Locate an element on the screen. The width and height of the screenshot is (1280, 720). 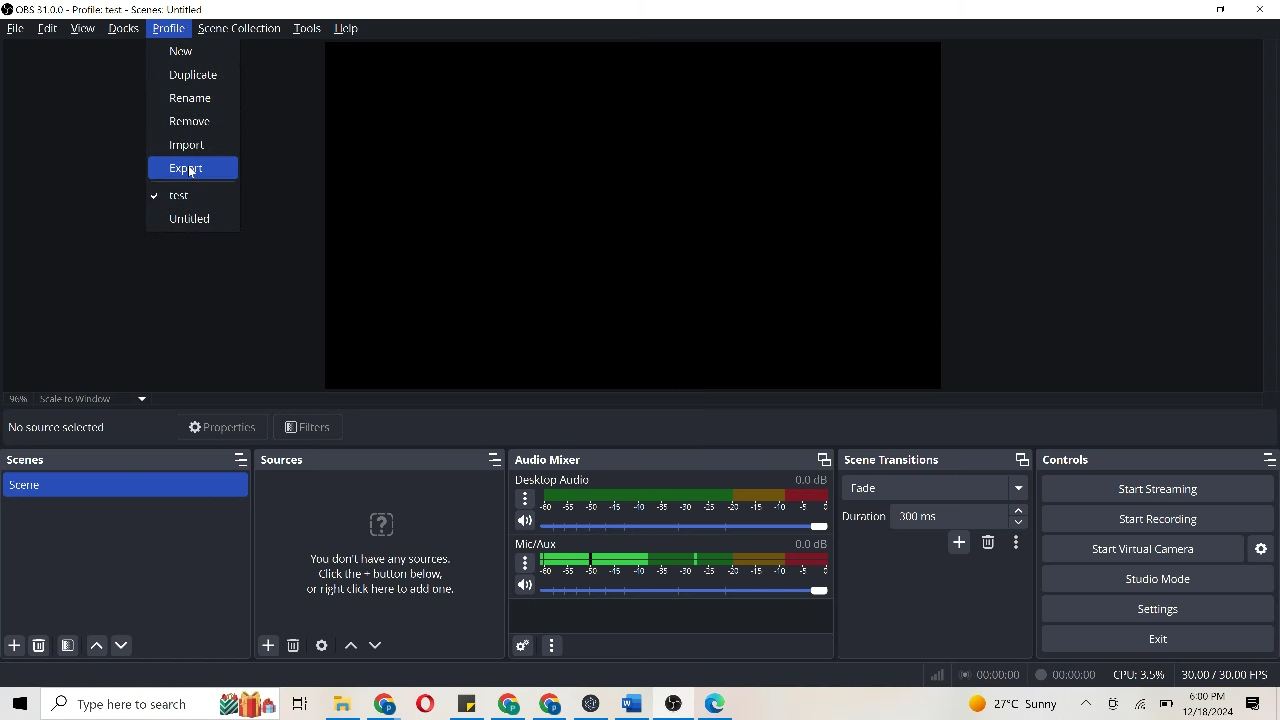
test is located at coordinates (176, 192).